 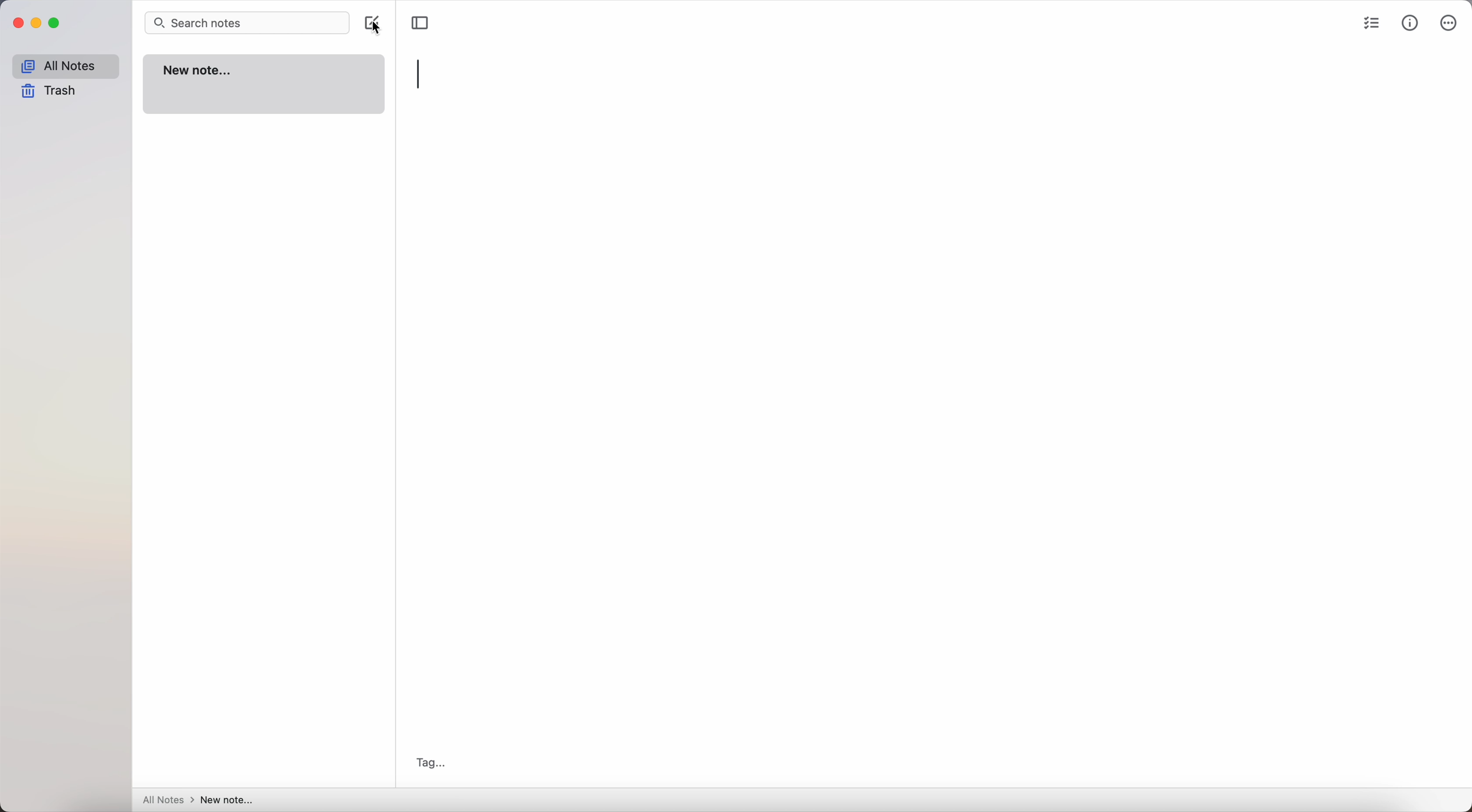 I want to click on new note..., so click(x=264, y=85).